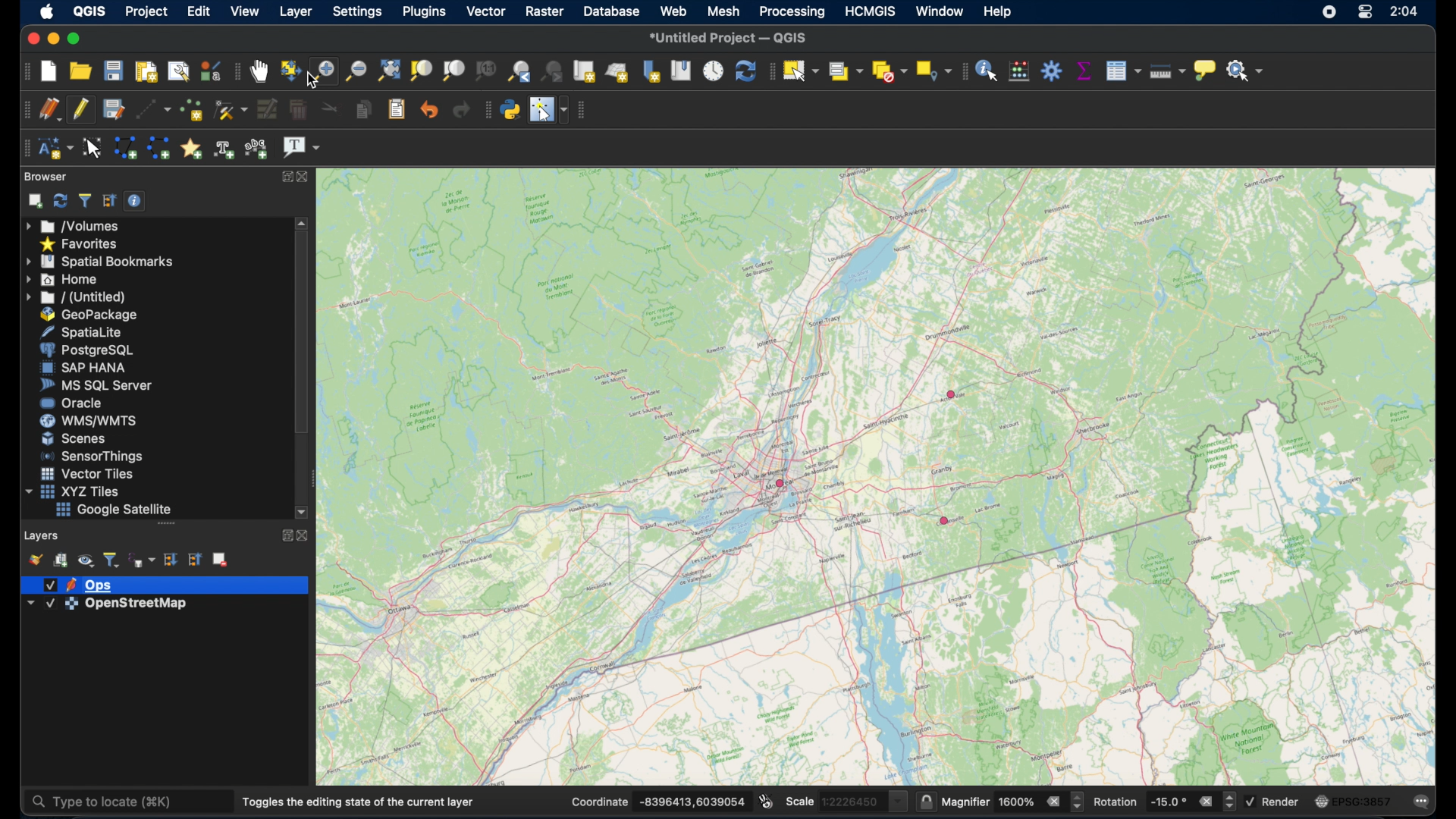 The width and height of the screenshot is (1456, 819). I want to click on postgresql, so click(83, 349).